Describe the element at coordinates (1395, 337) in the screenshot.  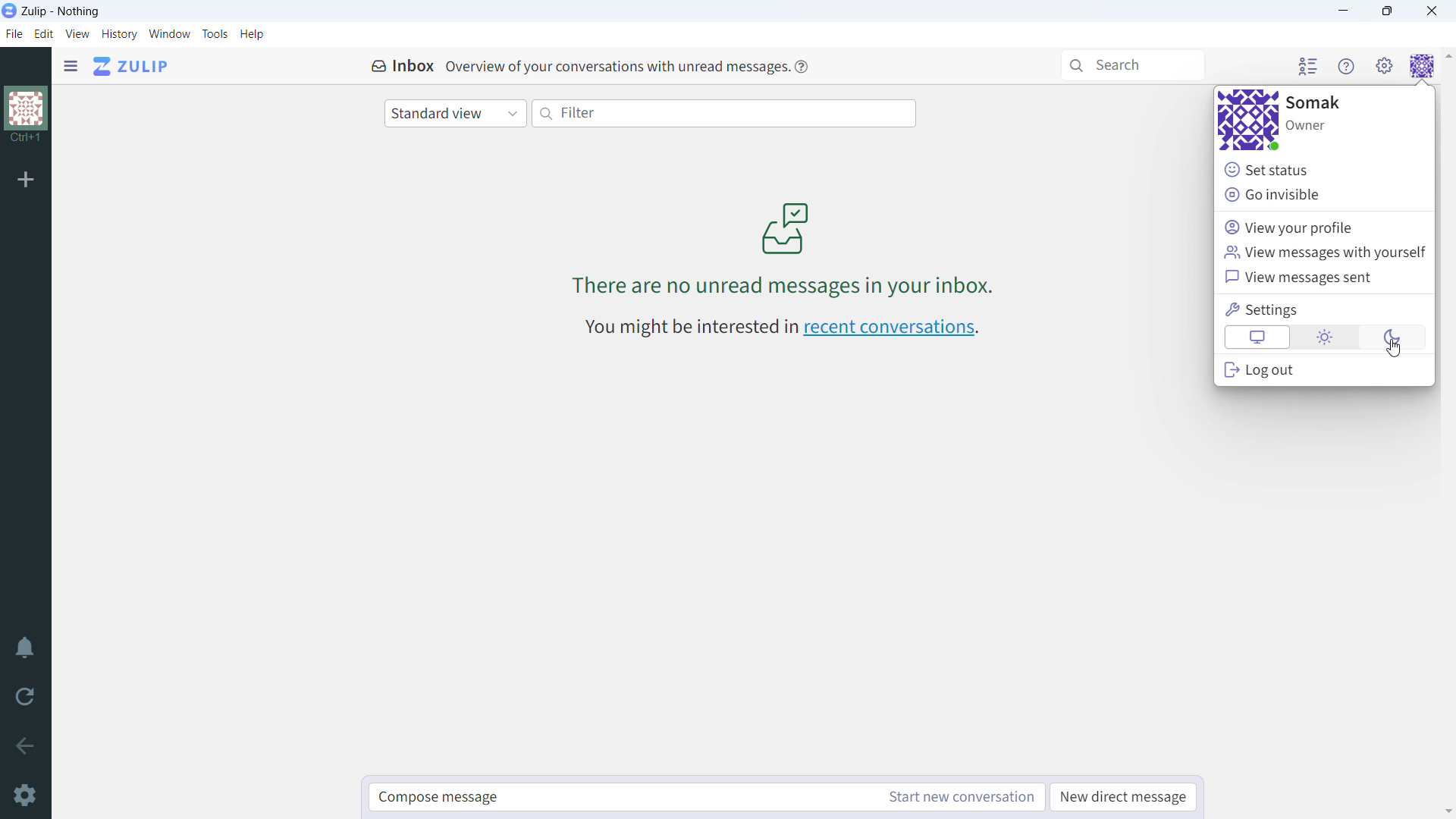
I see `dark theme` at that location.